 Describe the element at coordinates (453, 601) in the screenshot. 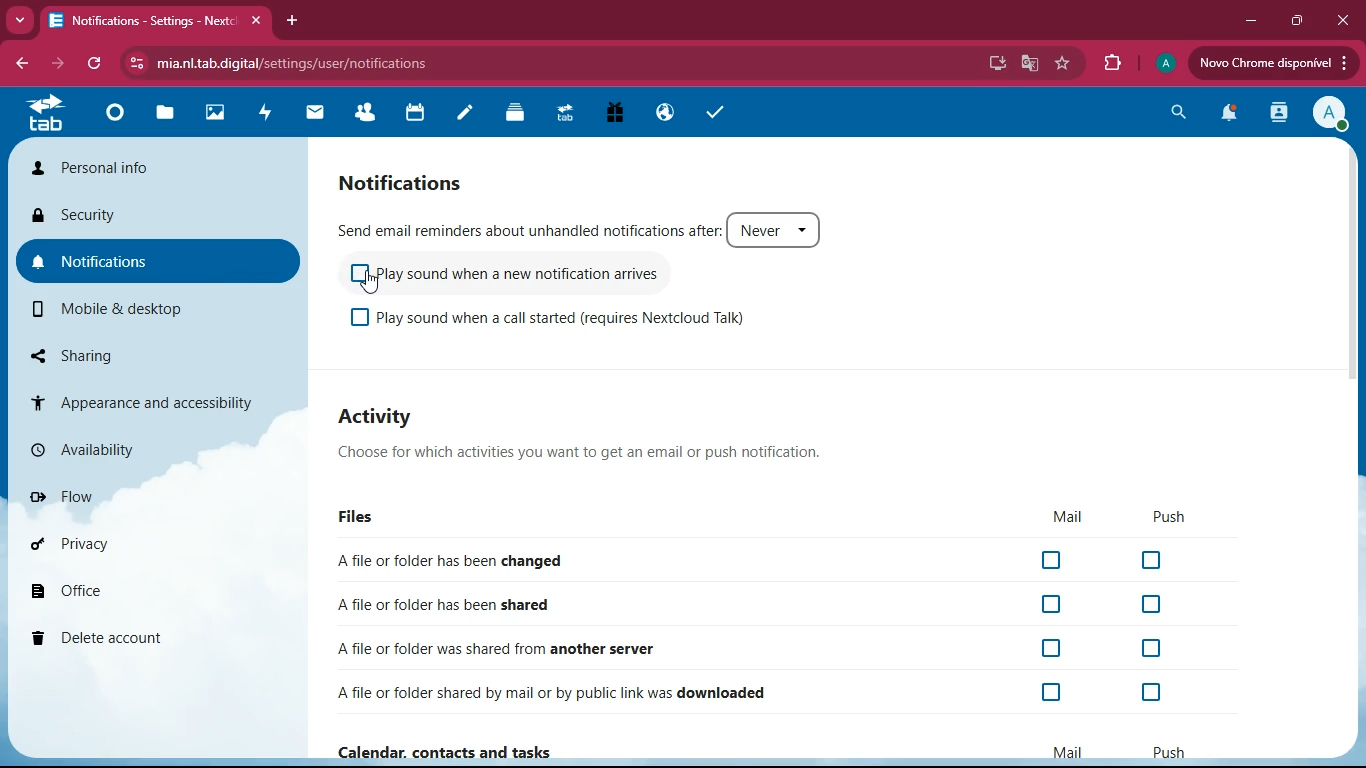

I see `shared` at that location.